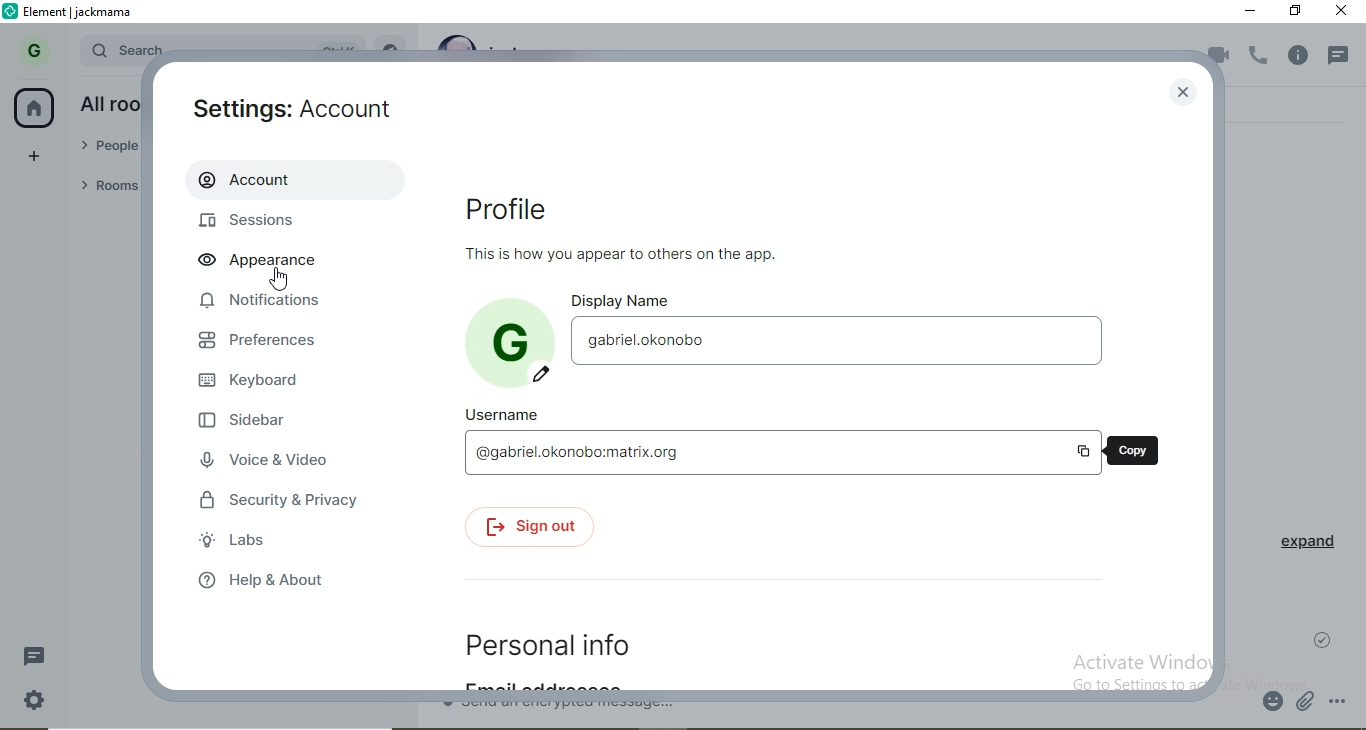 This screenshot has width=1366, height=730. I want to click on message, so click(40, 656).